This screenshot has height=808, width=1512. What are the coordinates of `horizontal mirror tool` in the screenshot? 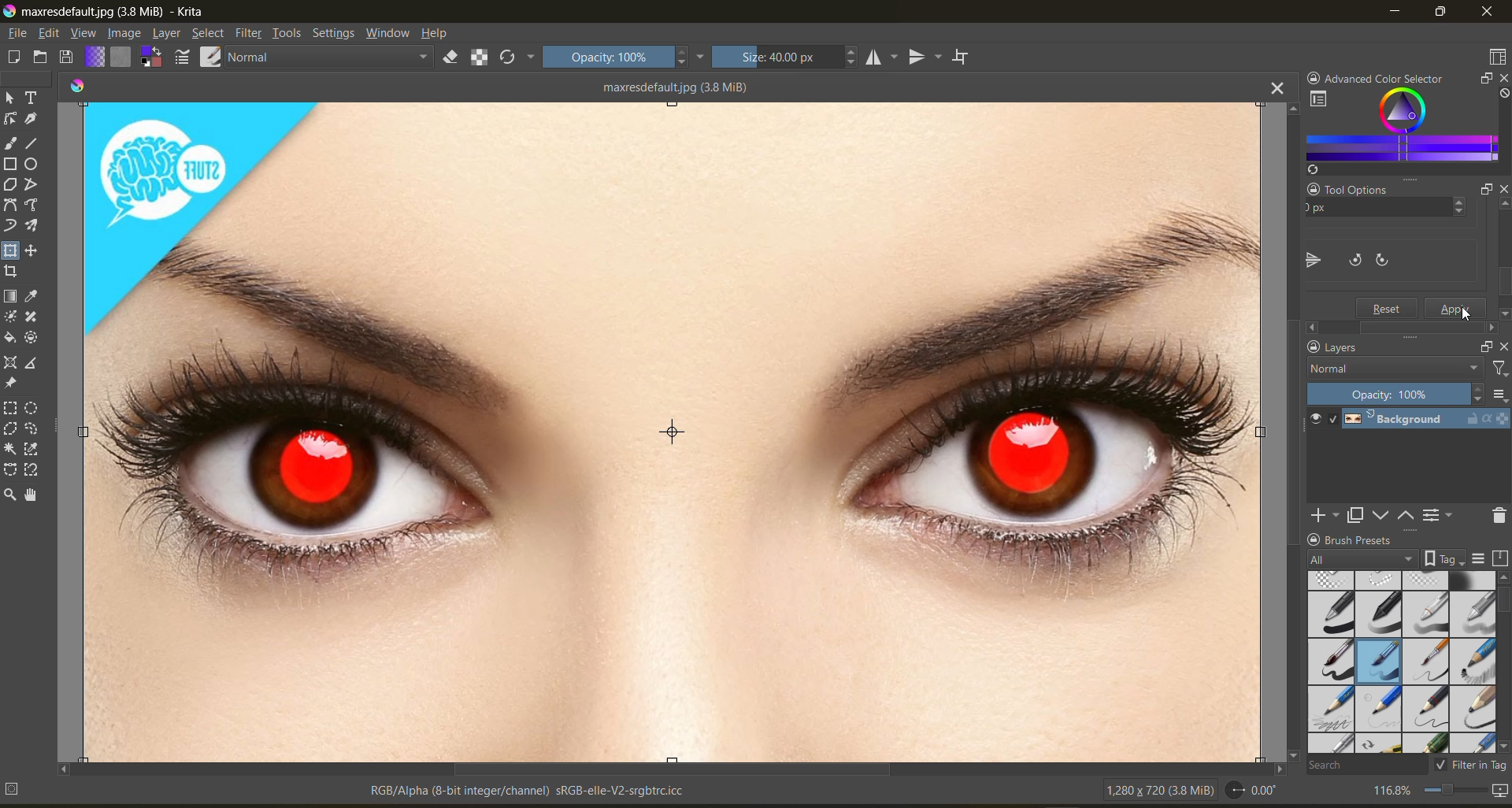 It's located at (883, 57).